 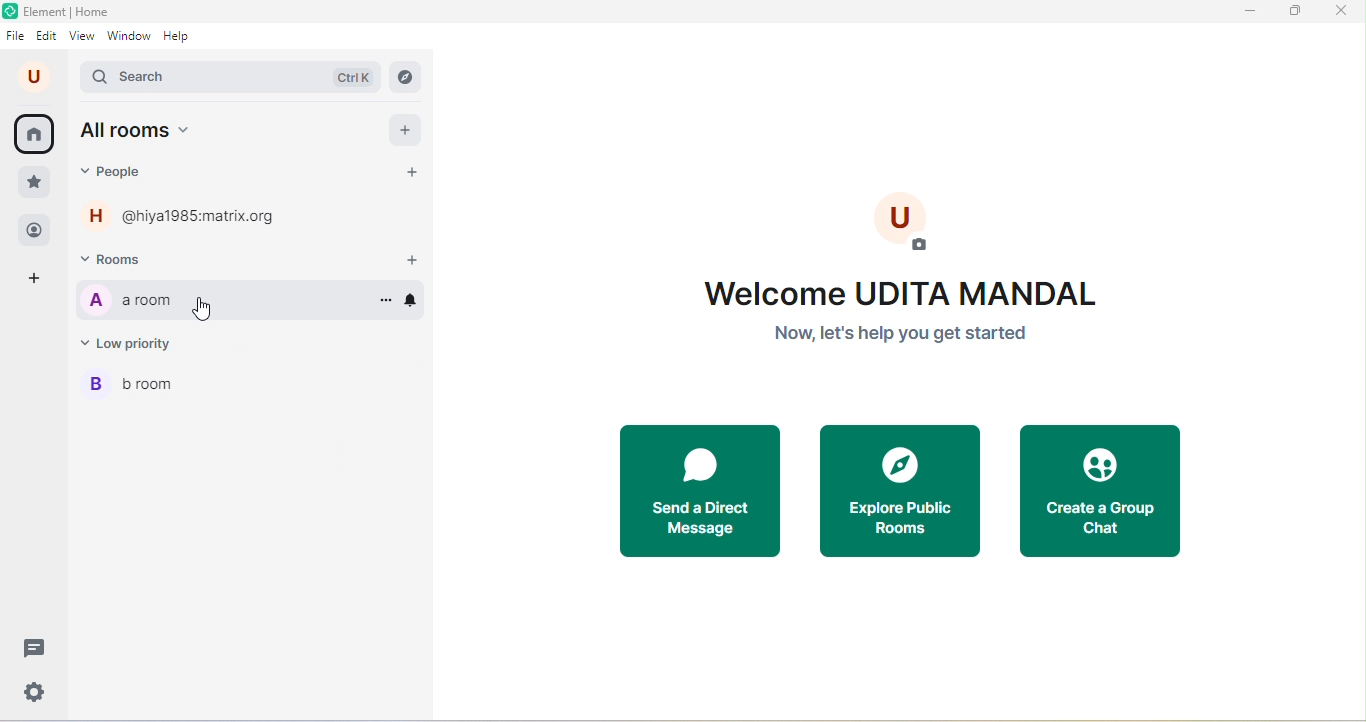 What do you see at coordinates (182, 37) in the screenshot?
I see `help` at bounding box center [182, 37].